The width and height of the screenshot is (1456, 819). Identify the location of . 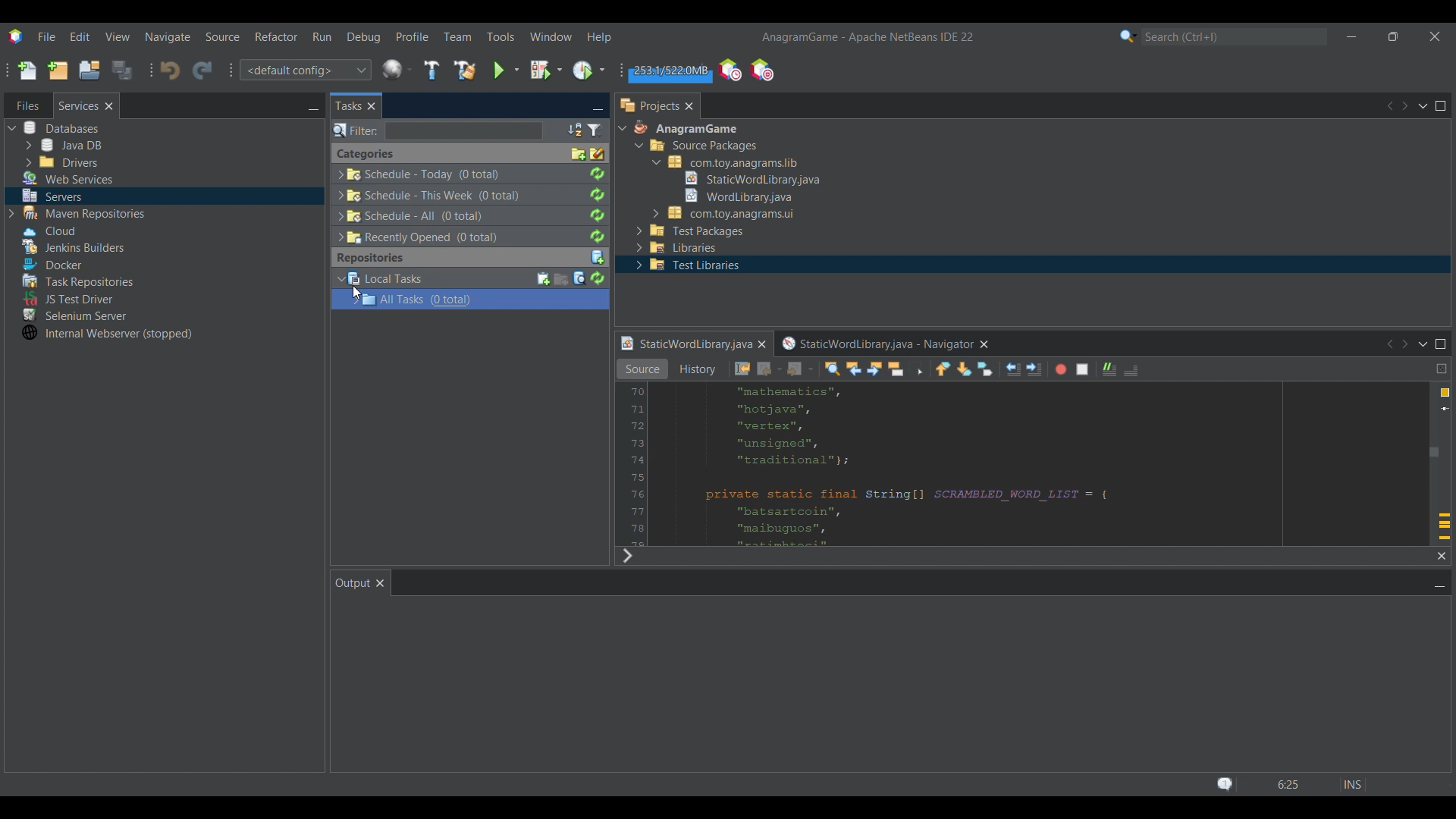
(1409, 106).